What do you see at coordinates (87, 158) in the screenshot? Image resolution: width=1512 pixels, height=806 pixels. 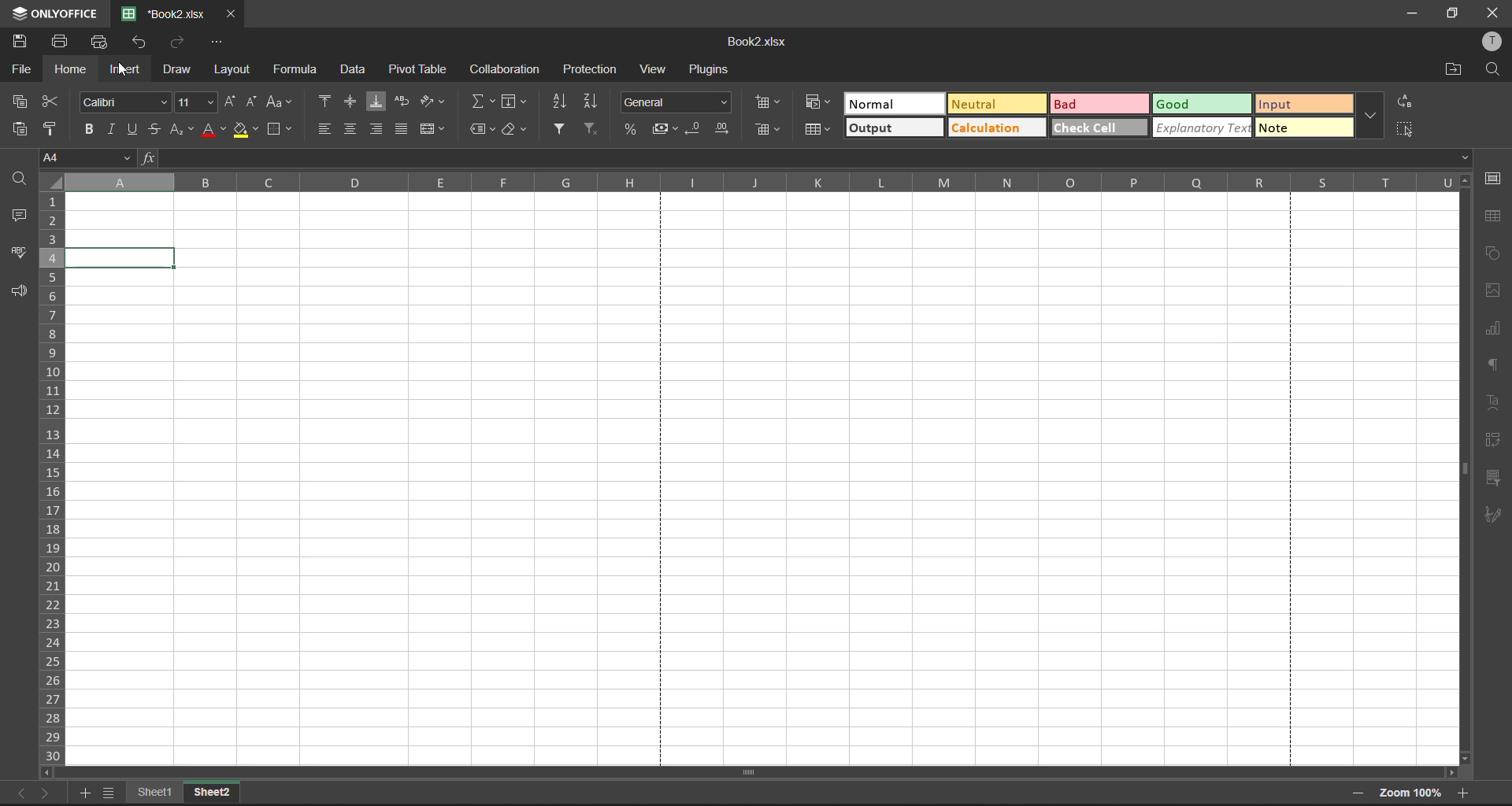 I see `cell address` at bounding box center [87, 158].